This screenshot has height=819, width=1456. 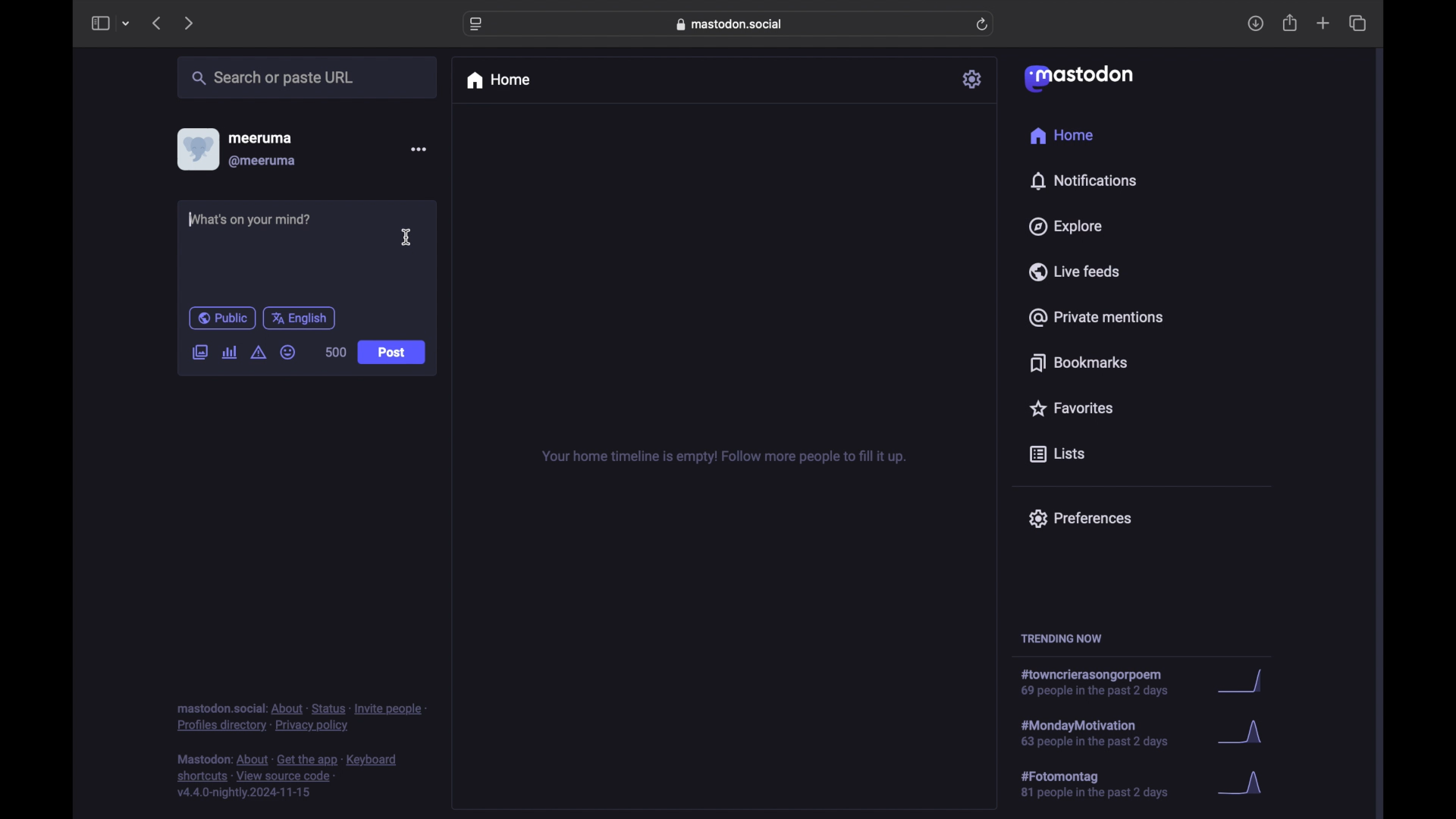 I want to click on add content warning, so click(x=258, y=353).